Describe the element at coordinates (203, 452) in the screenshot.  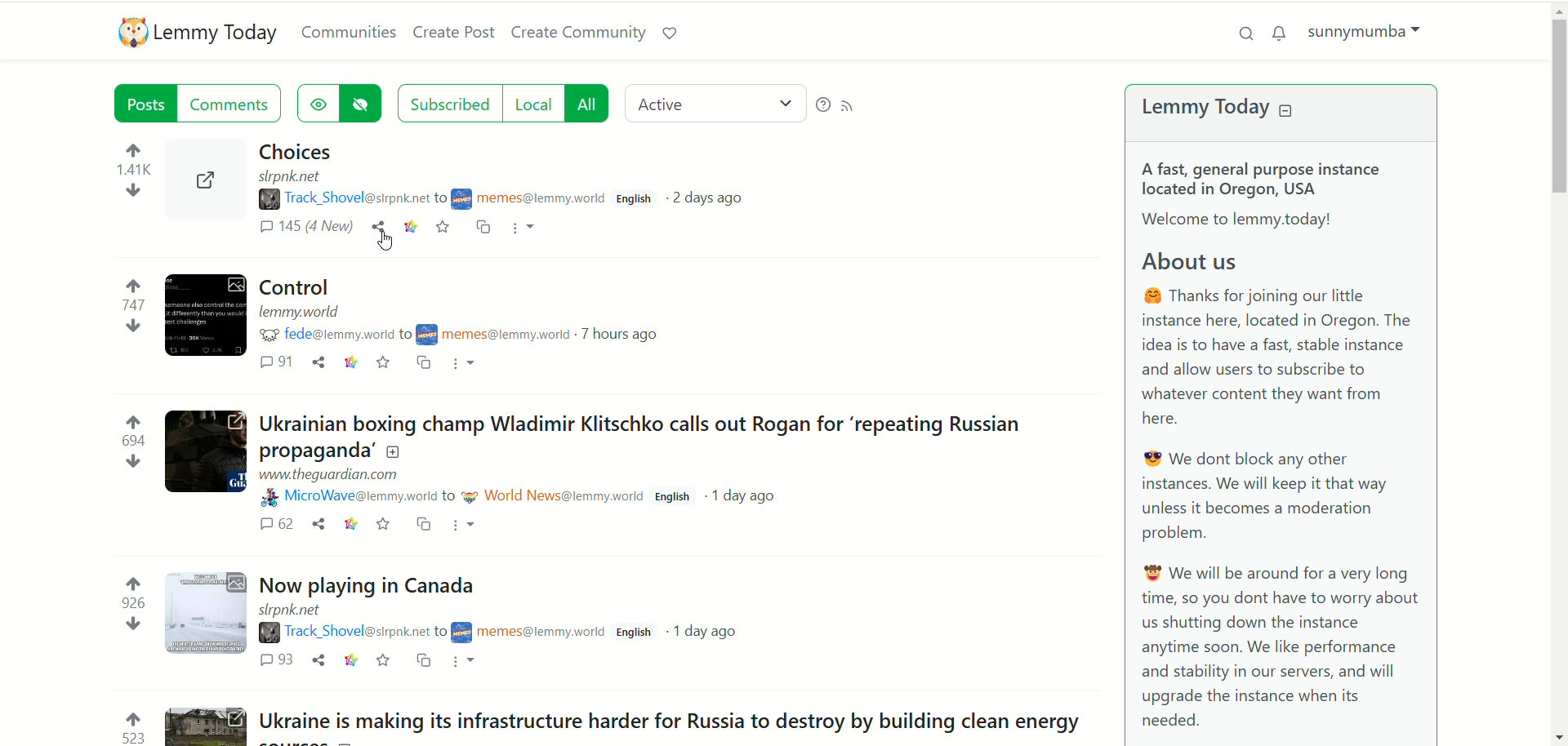
I see `Expand the post with the image` at that location.